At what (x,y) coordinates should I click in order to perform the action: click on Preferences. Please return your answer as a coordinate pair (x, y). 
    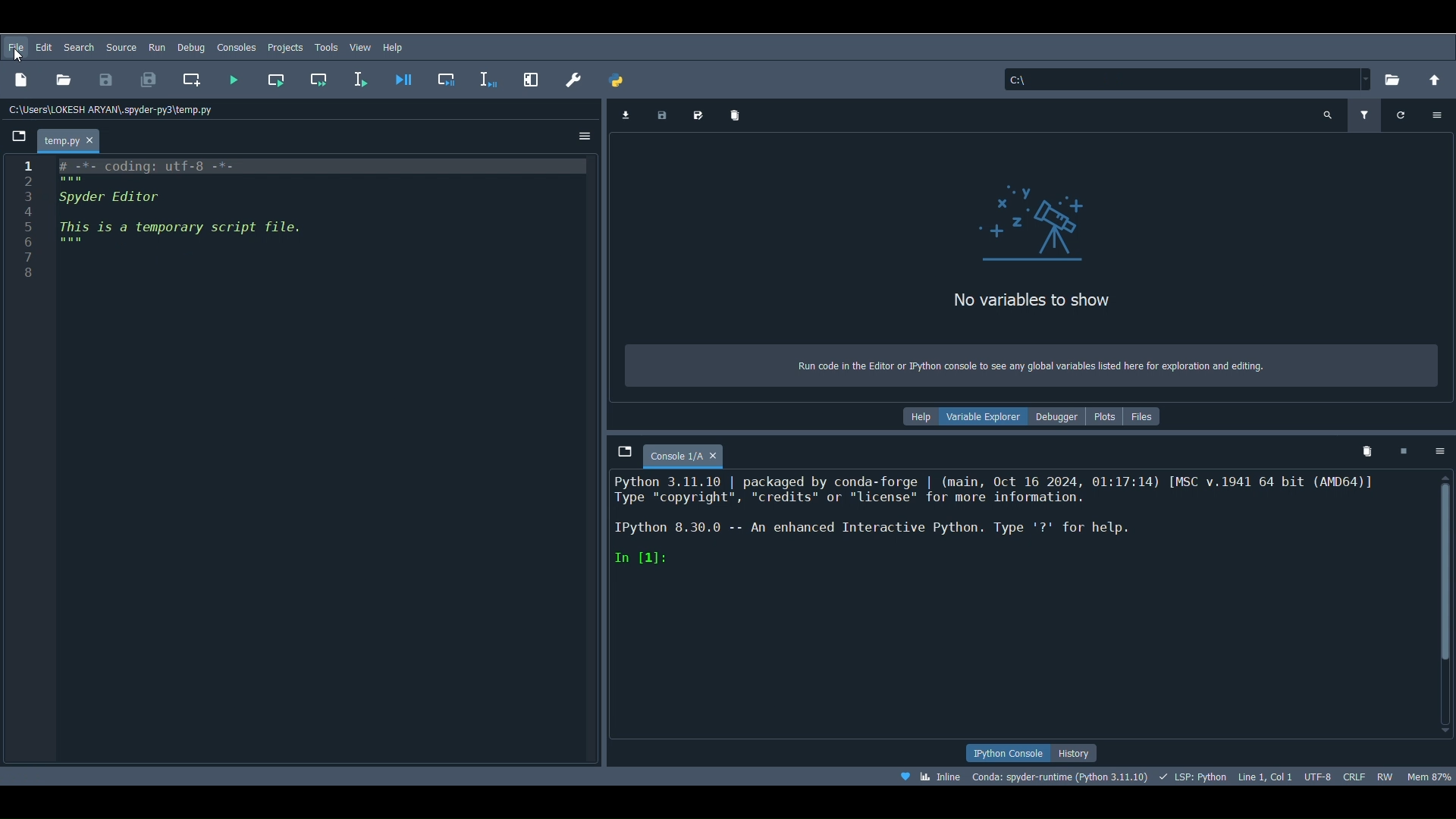
    Looking at the image, I should click on (574, 76).